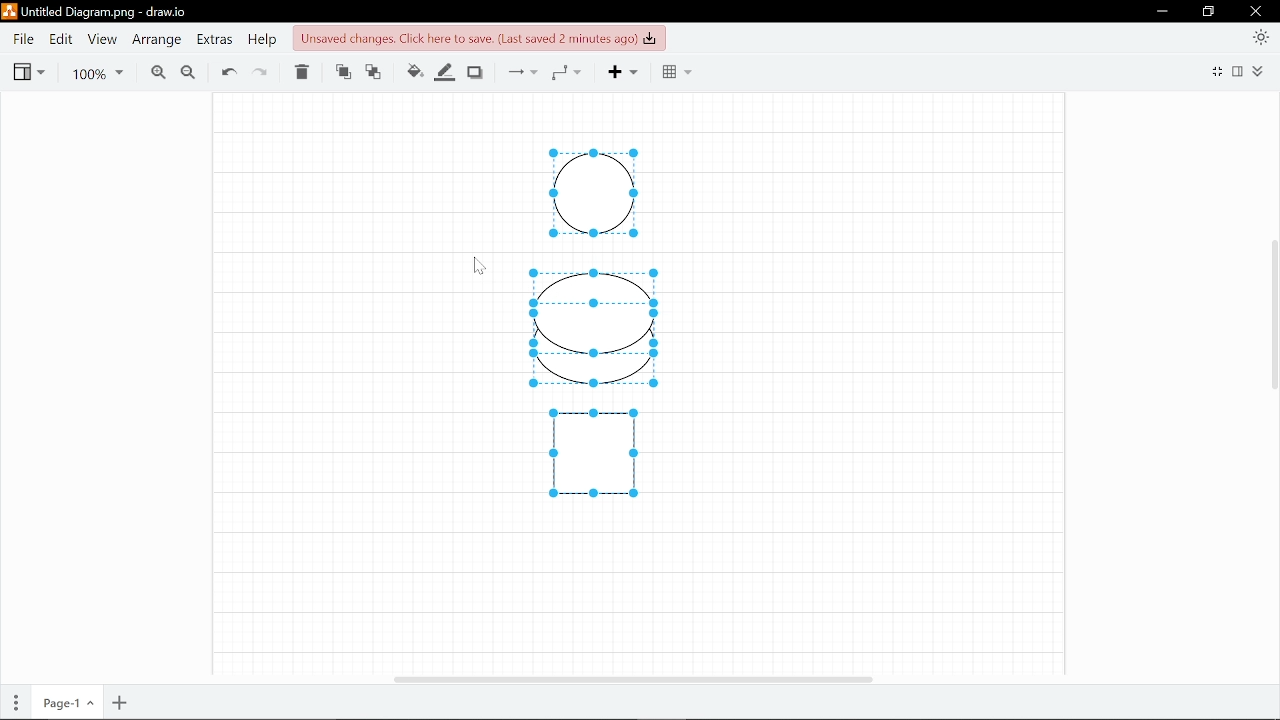 The height and width of the screenshot is (720, 1280). I want to click on Vertical scrollbar, so click(1272, 319).